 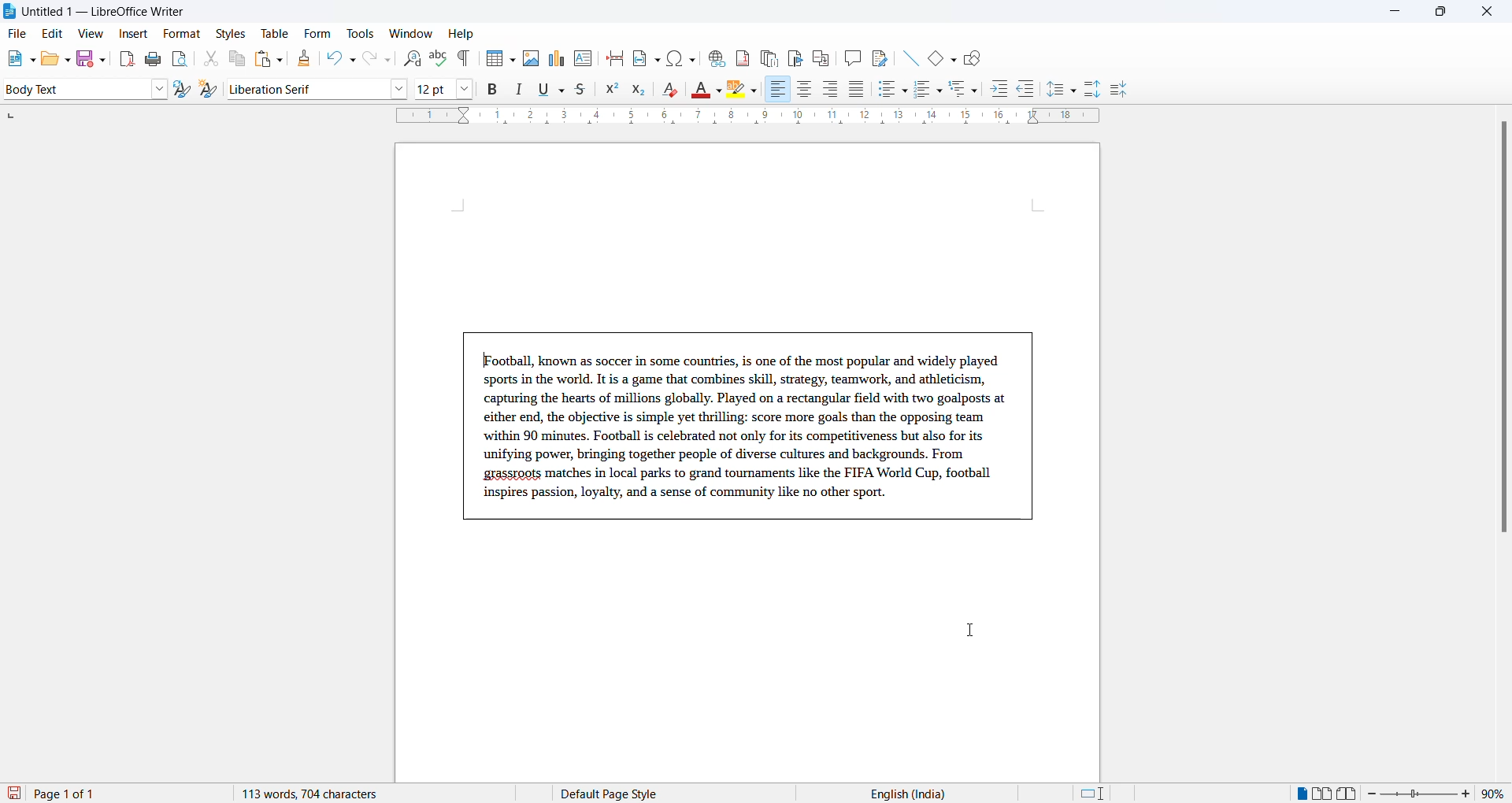 What do you see at coordinates (338, 58) in the screenshot?
I see `undo` at bounding box center [338, 58].